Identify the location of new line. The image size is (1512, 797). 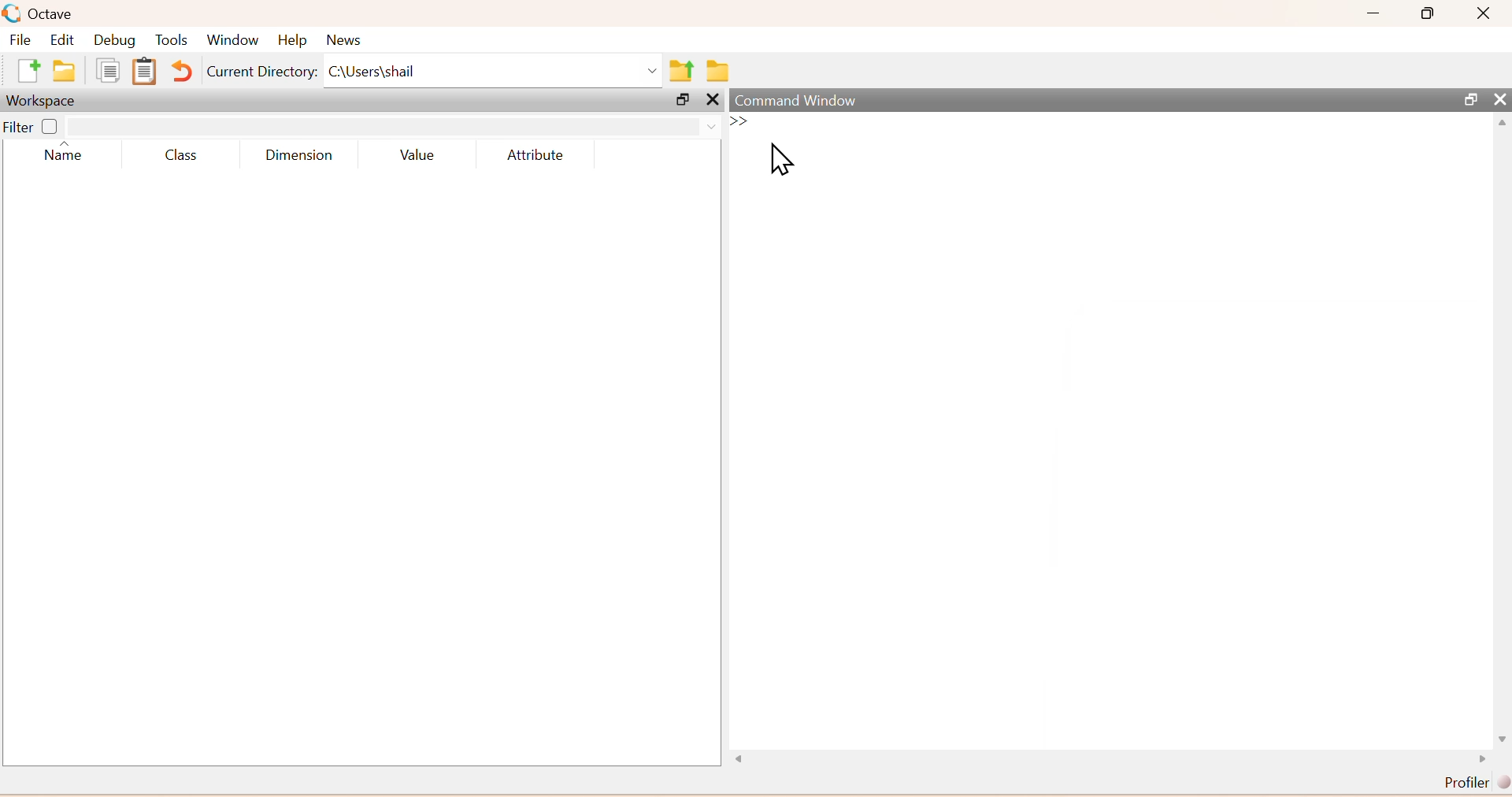
(739, 120).